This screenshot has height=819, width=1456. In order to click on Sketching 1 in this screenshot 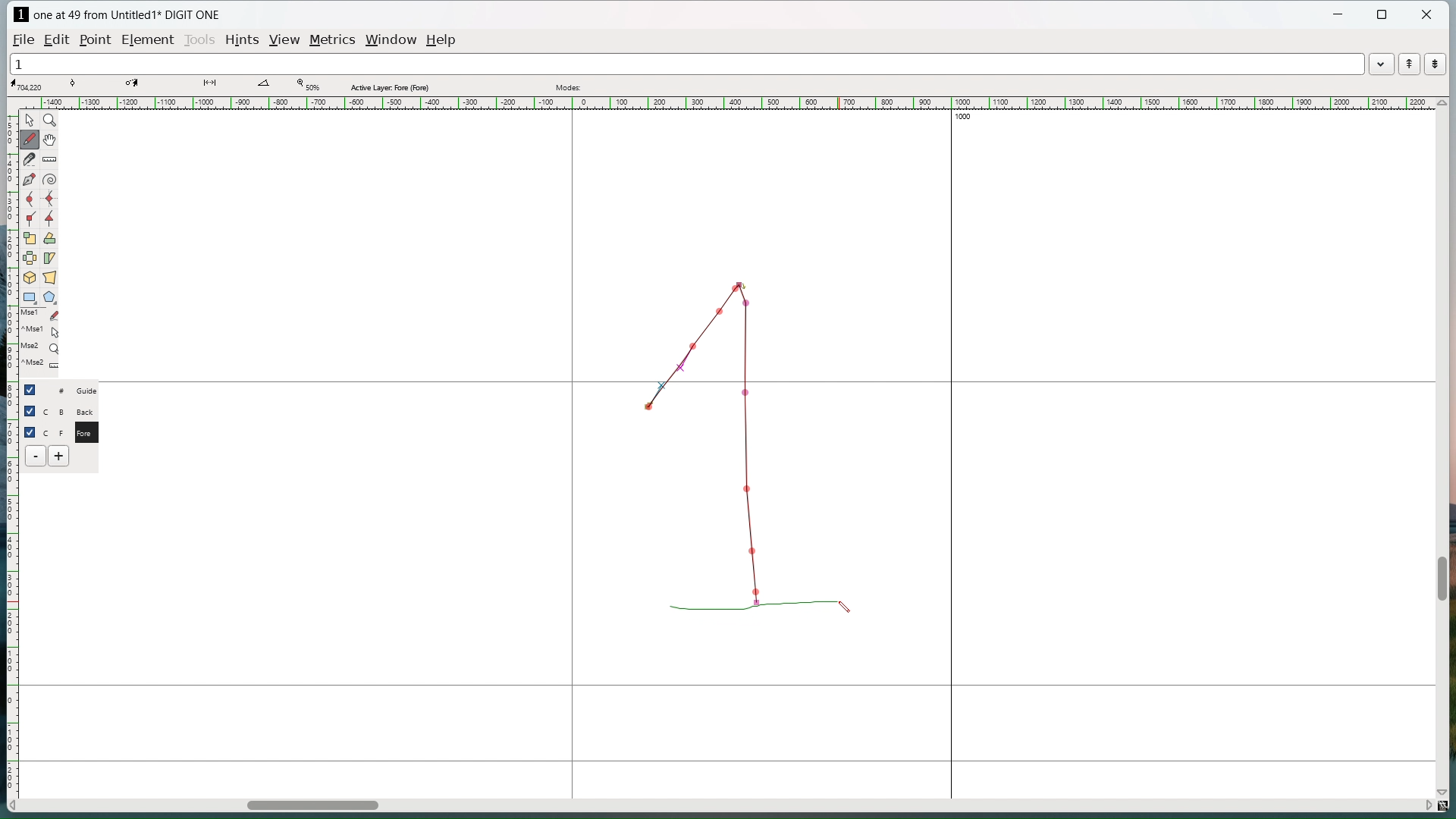, I will do `click(731, 441)`.